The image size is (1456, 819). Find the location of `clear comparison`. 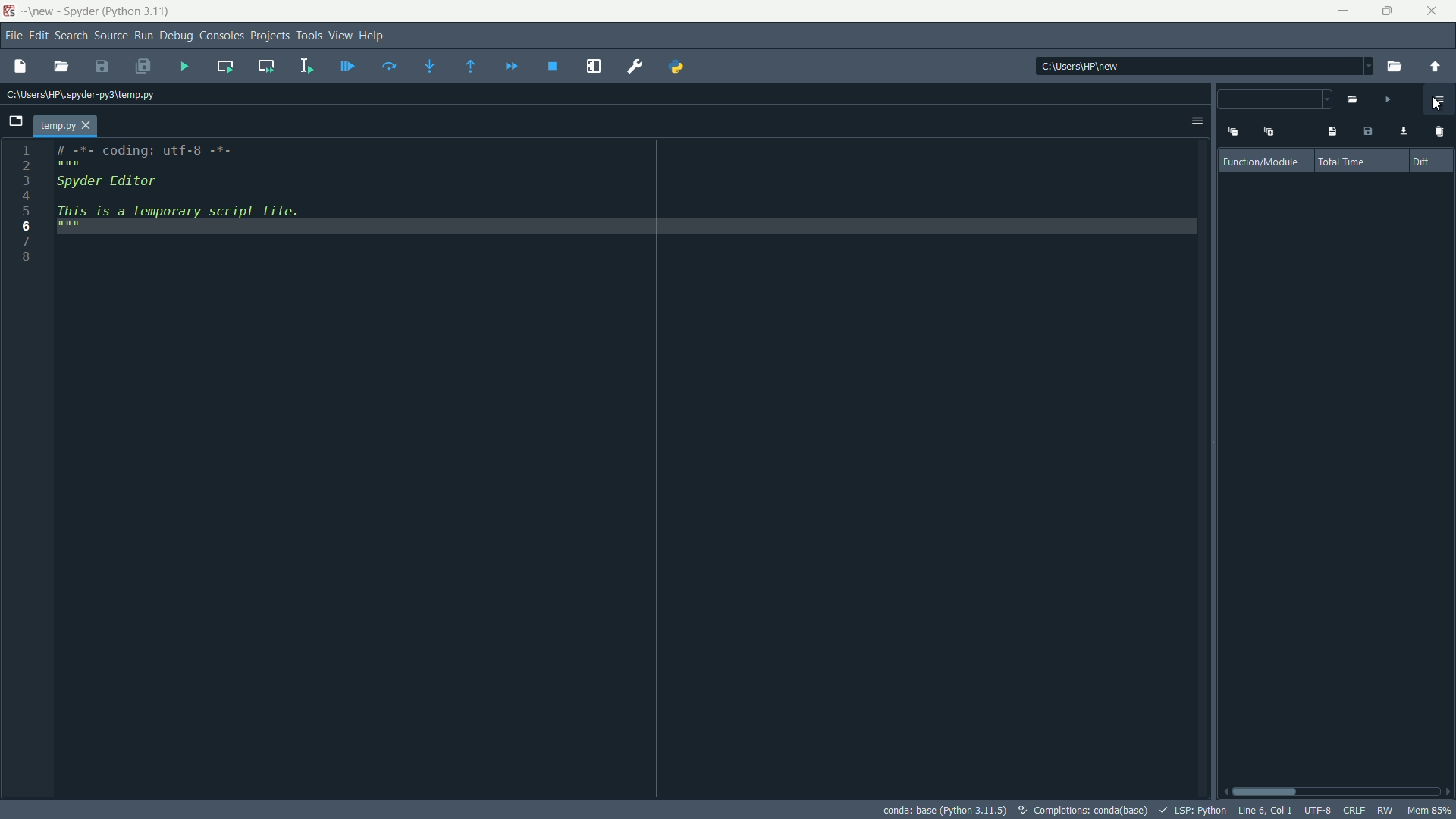

clear comparison is located at coordinates (1437, 132).